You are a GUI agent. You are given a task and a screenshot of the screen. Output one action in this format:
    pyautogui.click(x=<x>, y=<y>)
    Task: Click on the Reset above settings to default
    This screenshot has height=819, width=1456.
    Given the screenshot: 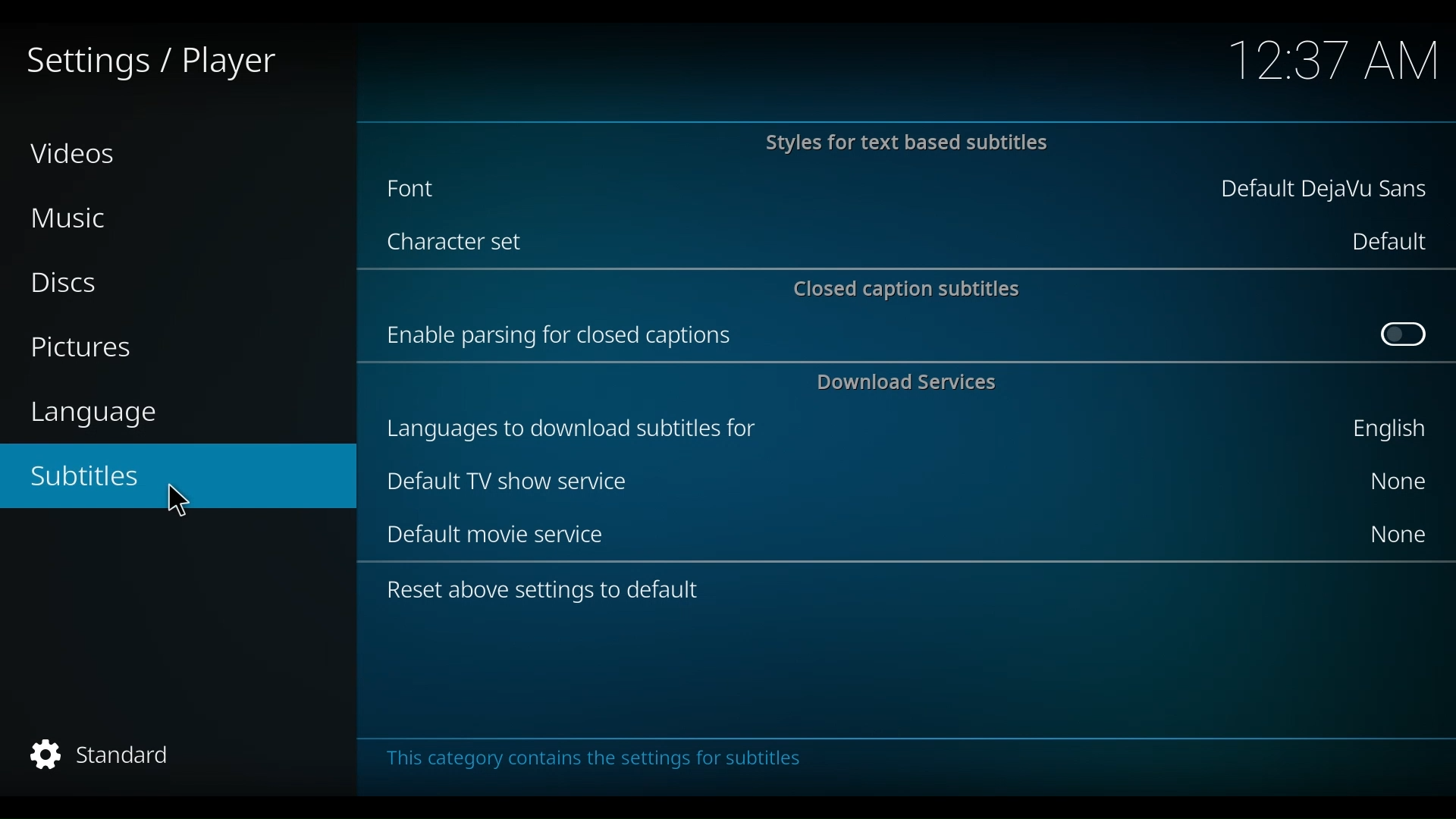 What is the action you would take?
    pyautogui.click(x=550, y=594)
    